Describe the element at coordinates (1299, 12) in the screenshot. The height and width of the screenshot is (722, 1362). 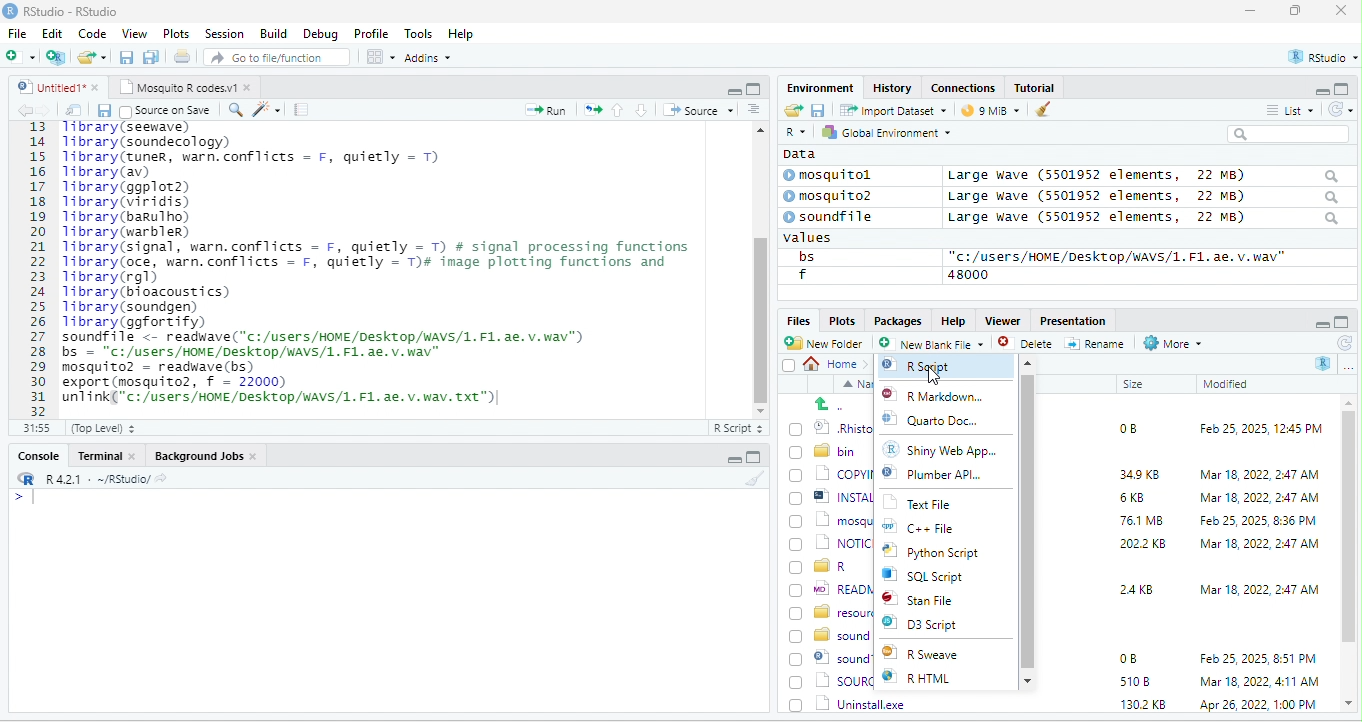
I see `maximize` at that location.